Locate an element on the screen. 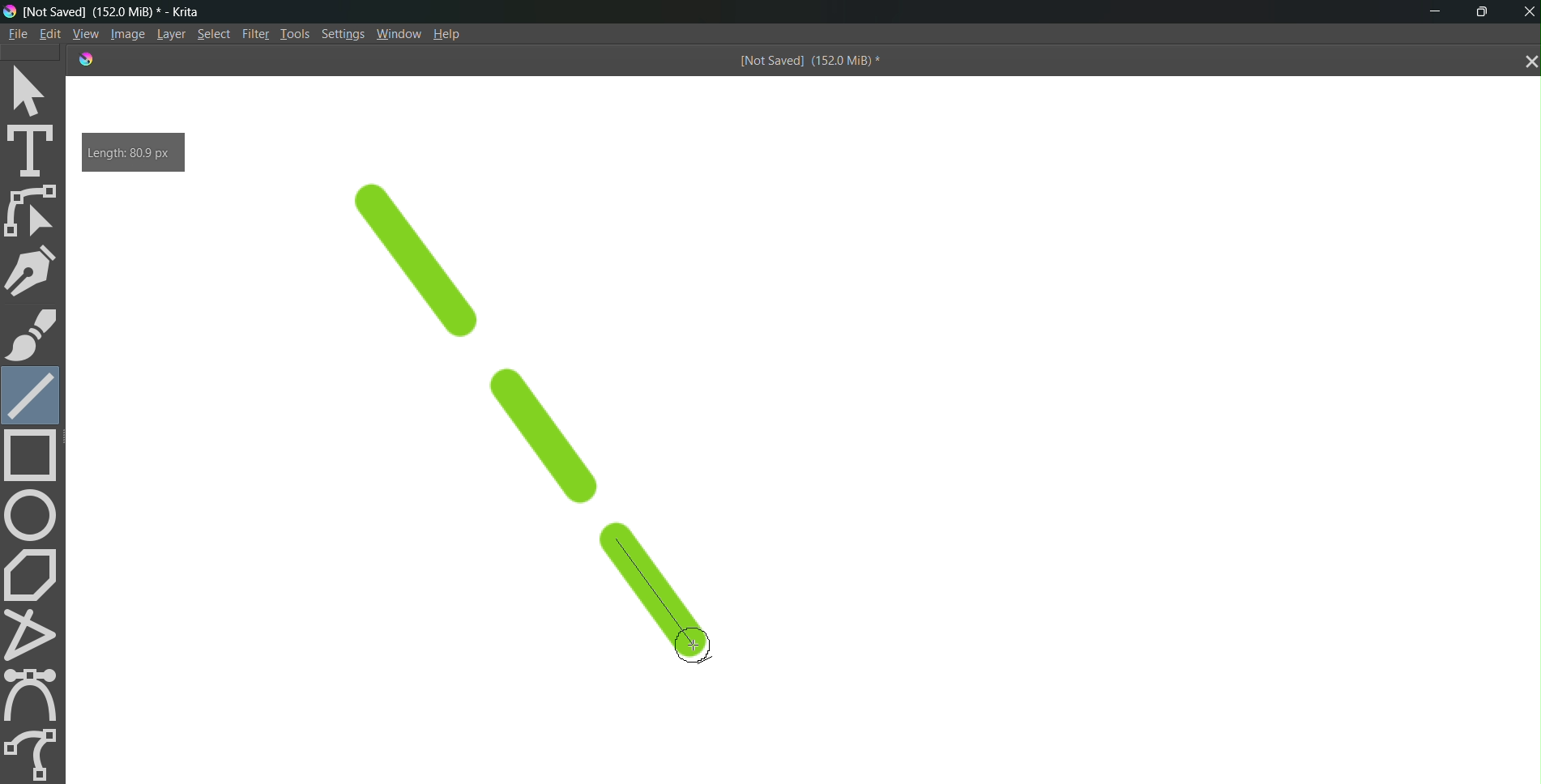  cursor is located at coordinates (694, 641).